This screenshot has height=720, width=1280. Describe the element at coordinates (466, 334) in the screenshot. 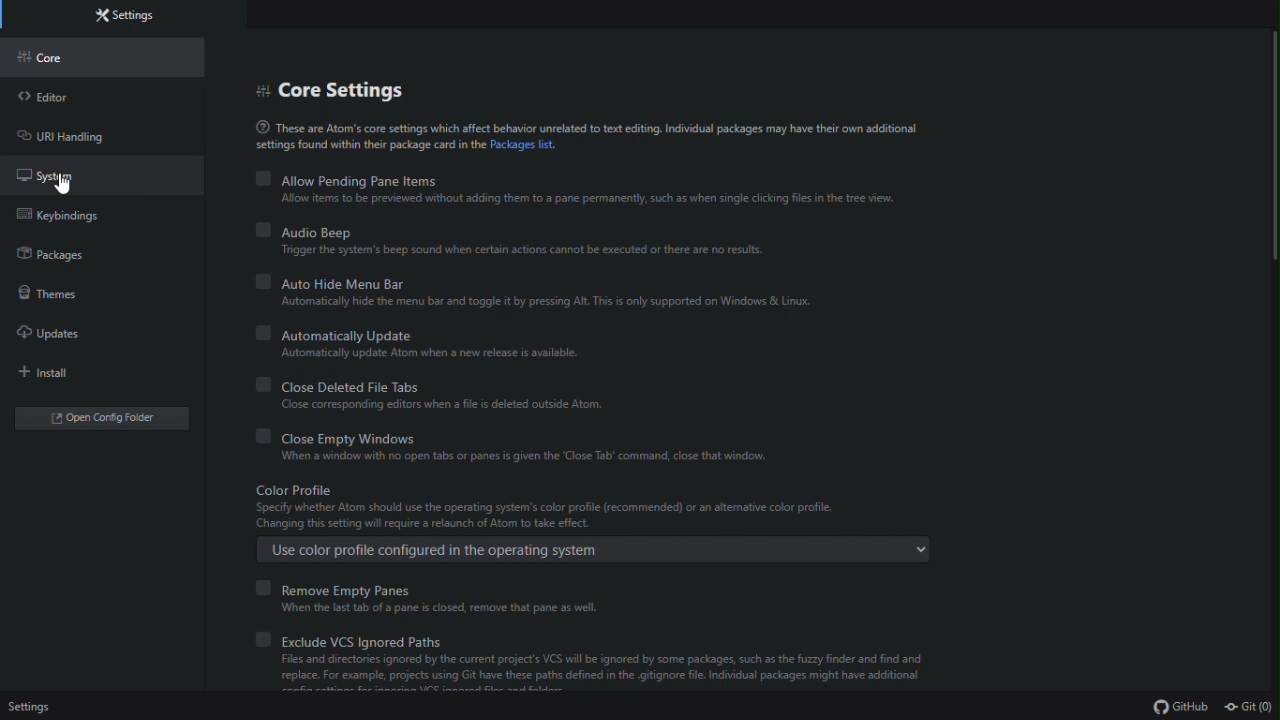

I see `Automatically update` at that location.